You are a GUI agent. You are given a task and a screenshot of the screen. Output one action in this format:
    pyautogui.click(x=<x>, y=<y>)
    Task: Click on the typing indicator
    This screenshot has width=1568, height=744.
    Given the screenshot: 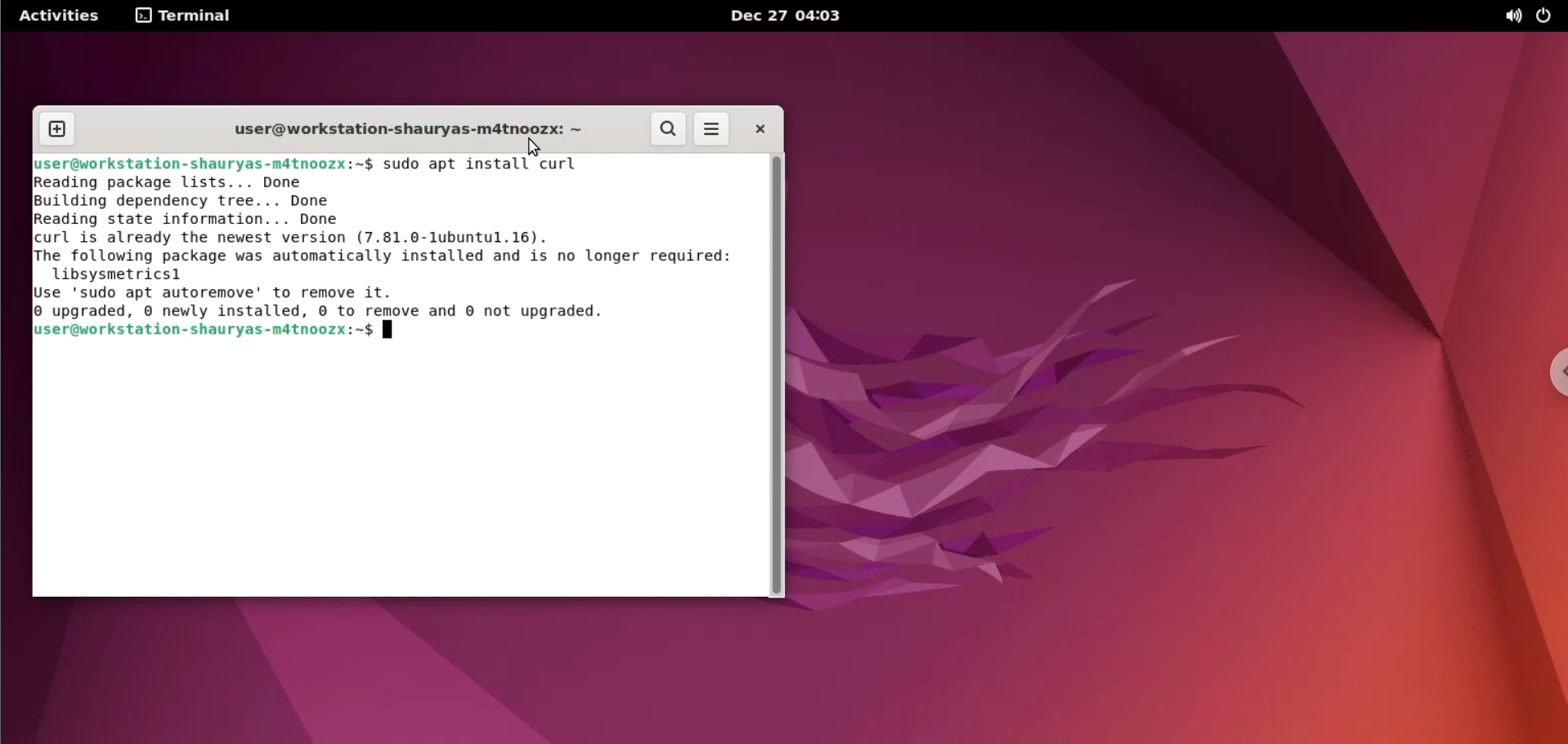 What is the action you would take?
    pyautogui.click(x=388, y=333)
    